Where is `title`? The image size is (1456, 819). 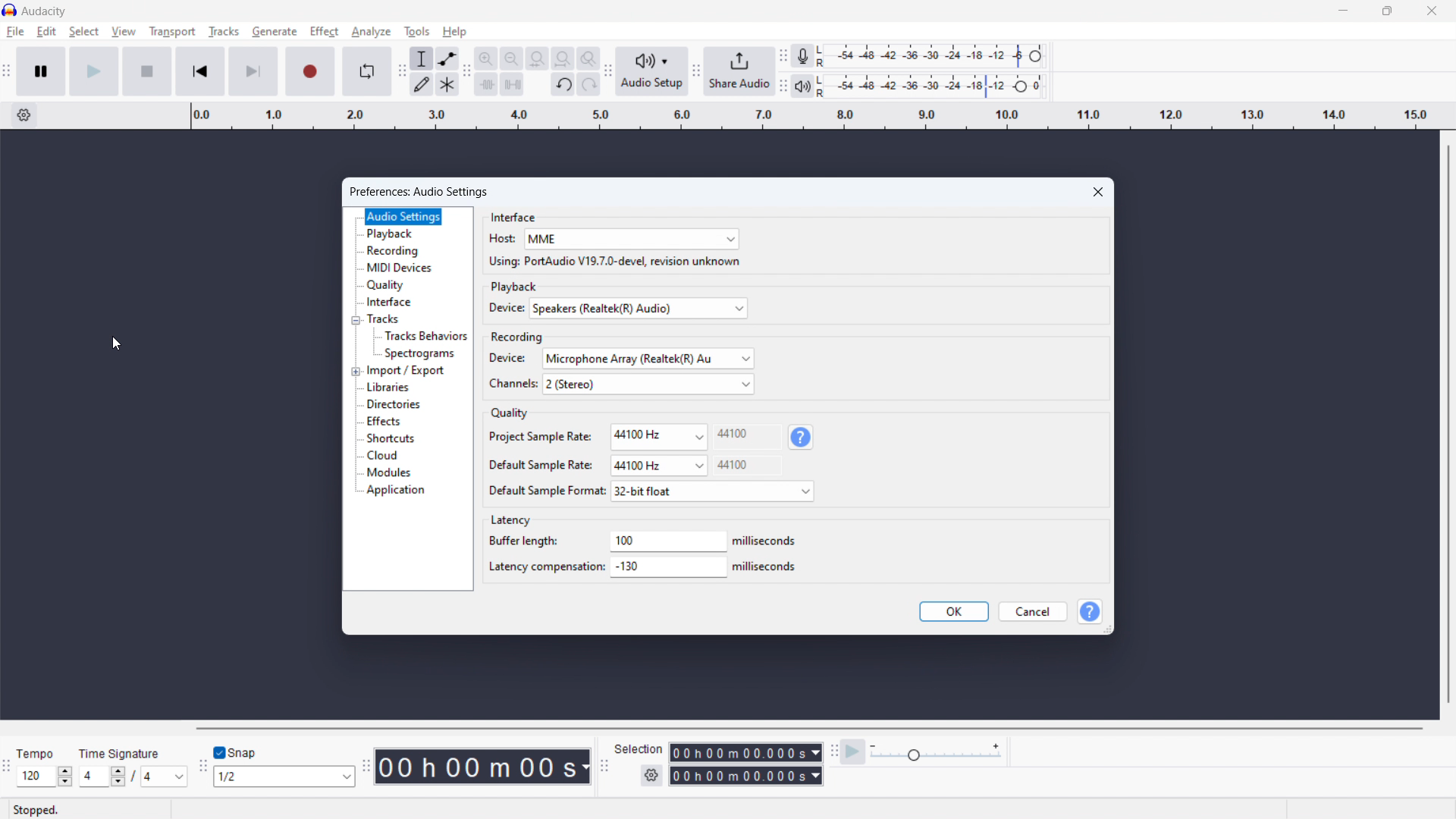
title is located at coordinates (44, 11).